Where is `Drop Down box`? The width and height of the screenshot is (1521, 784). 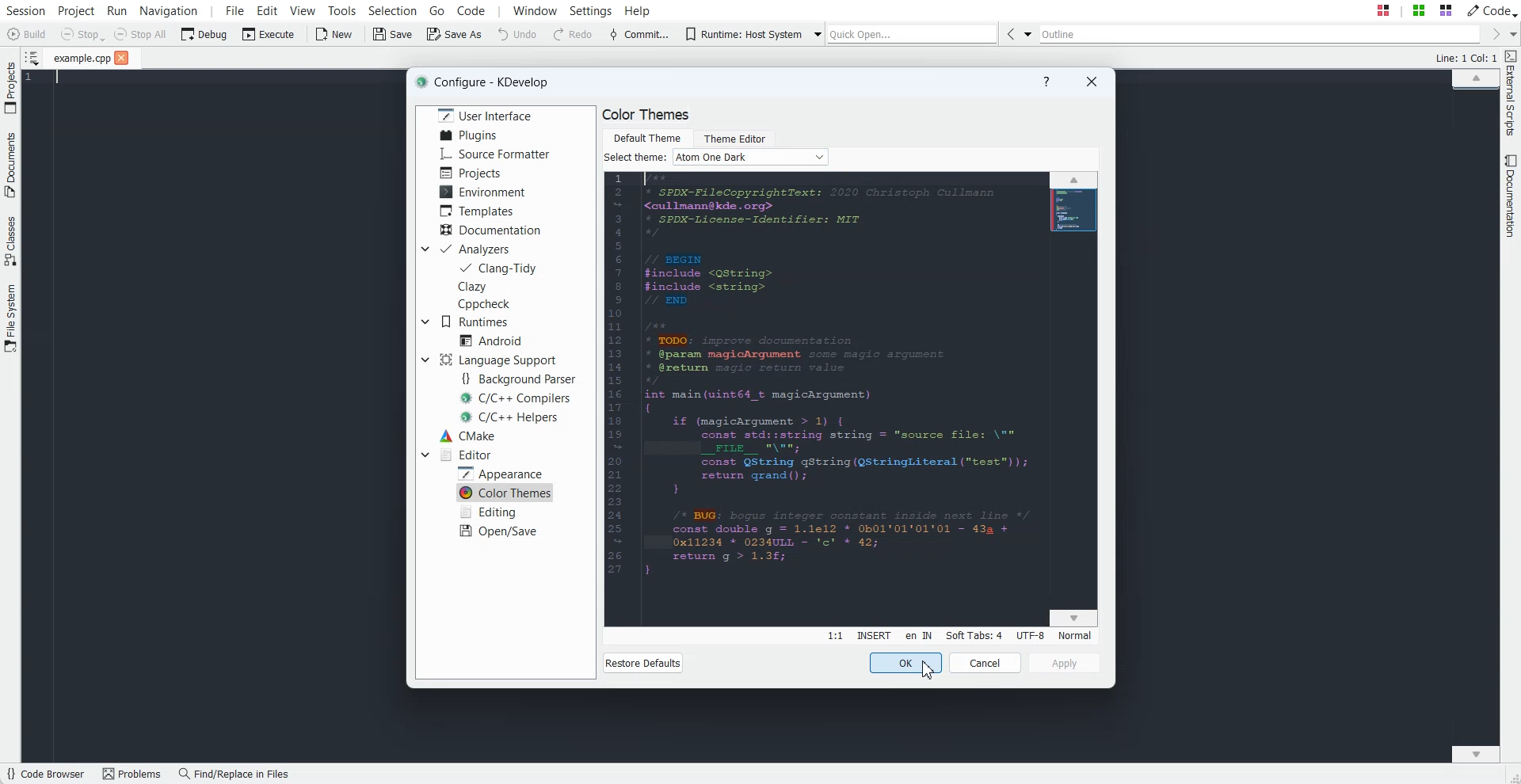
Drop Down box is located at coordinates (425, 454).